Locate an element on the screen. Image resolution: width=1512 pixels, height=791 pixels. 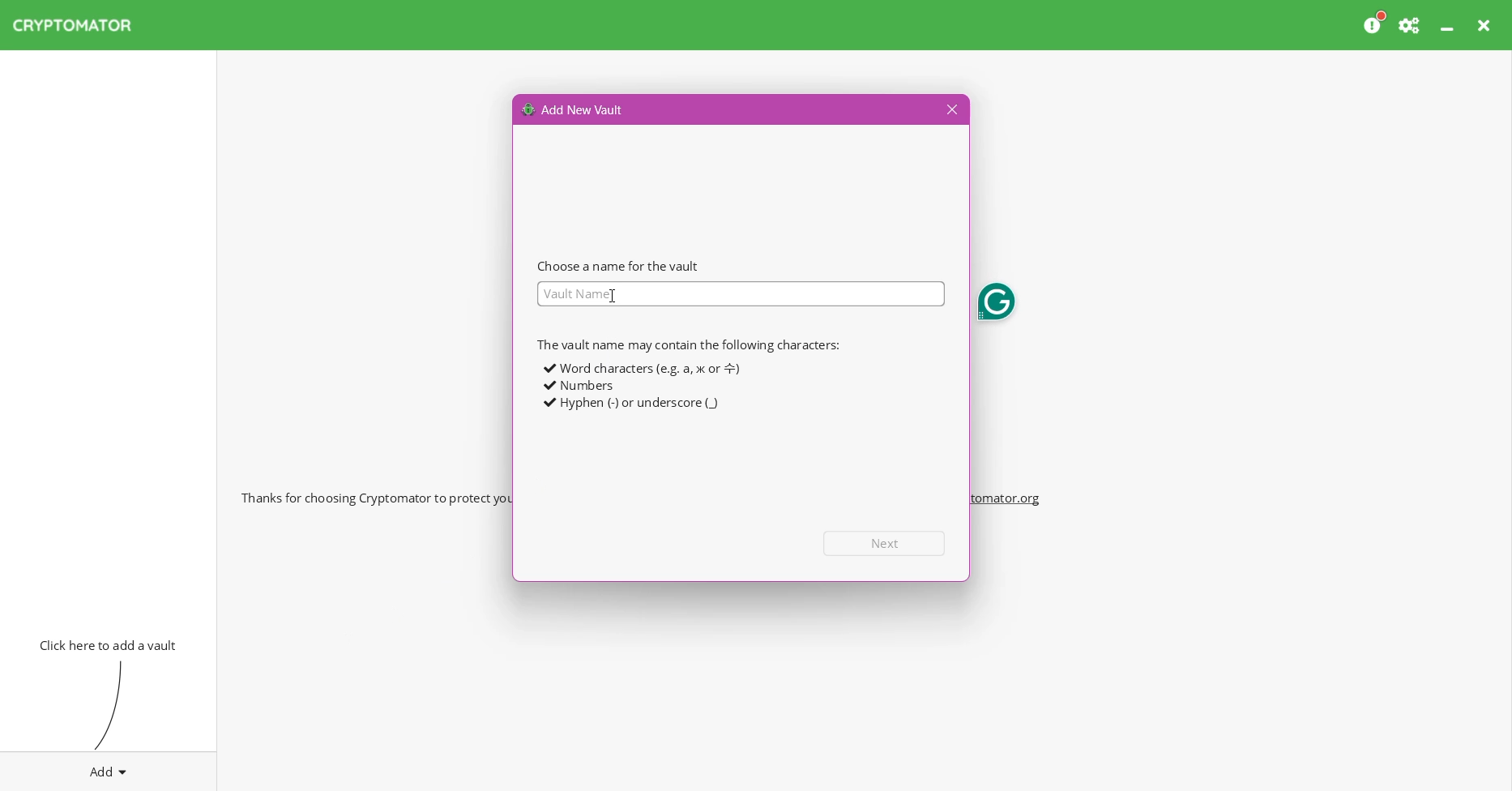
Vault Name is located at coordinates (740, 294).